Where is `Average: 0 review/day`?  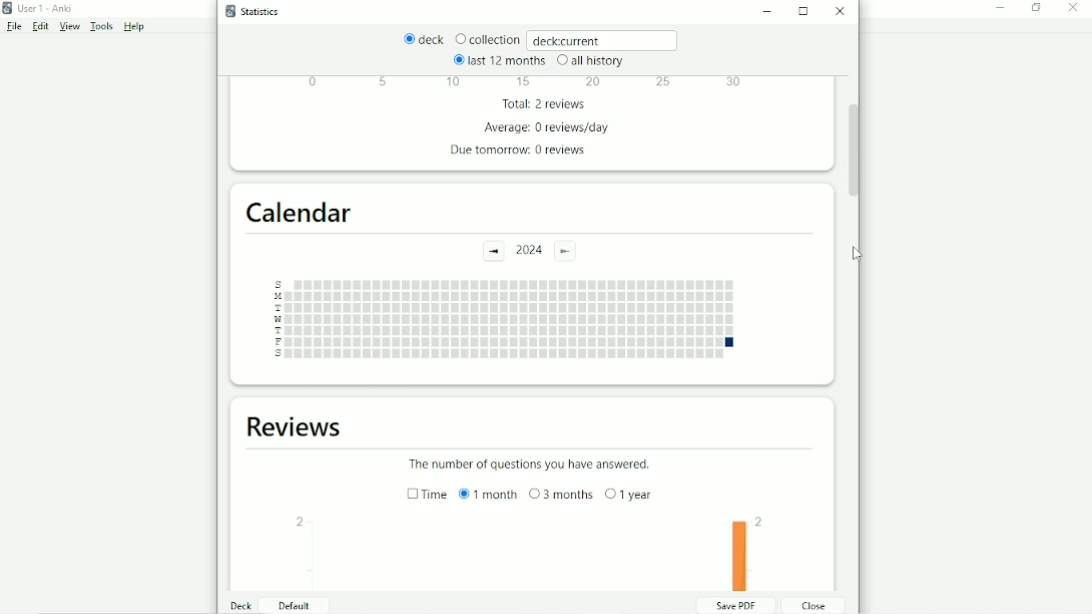 Average: 0 review/day is located at coordinates (547, 128).